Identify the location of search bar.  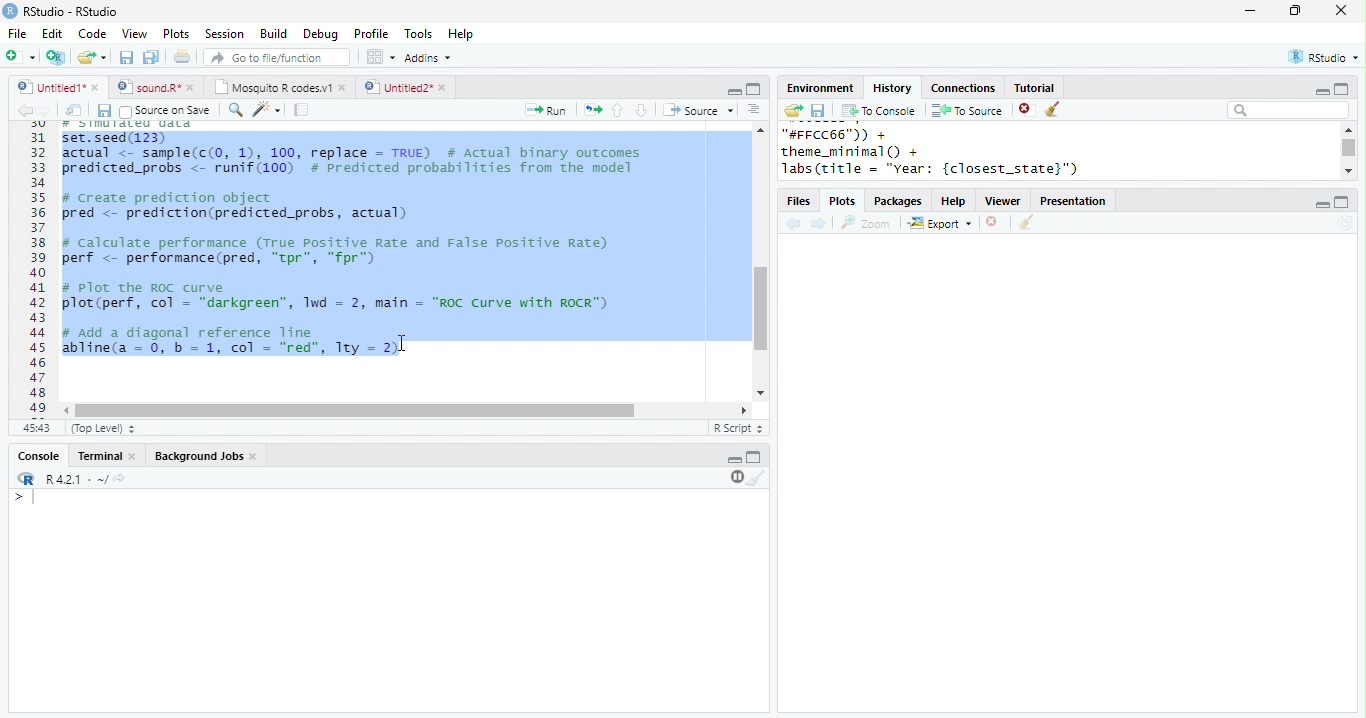
(1288, 109).